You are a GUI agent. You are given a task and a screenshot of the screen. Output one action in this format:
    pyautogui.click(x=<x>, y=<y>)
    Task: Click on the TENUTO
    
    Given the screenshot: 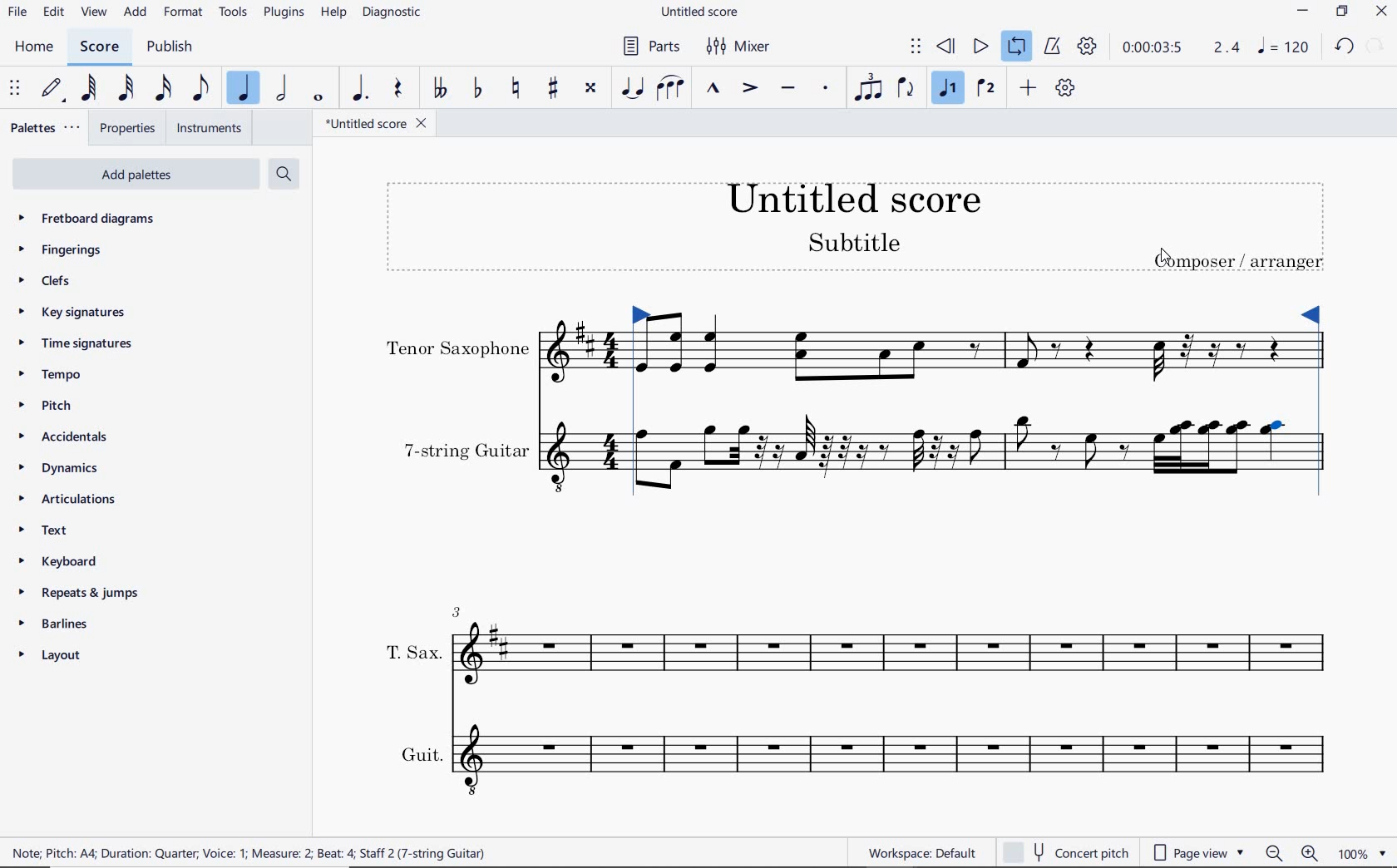 What is the action you would take?
    pyautogui.click(x=787, y=90)
    